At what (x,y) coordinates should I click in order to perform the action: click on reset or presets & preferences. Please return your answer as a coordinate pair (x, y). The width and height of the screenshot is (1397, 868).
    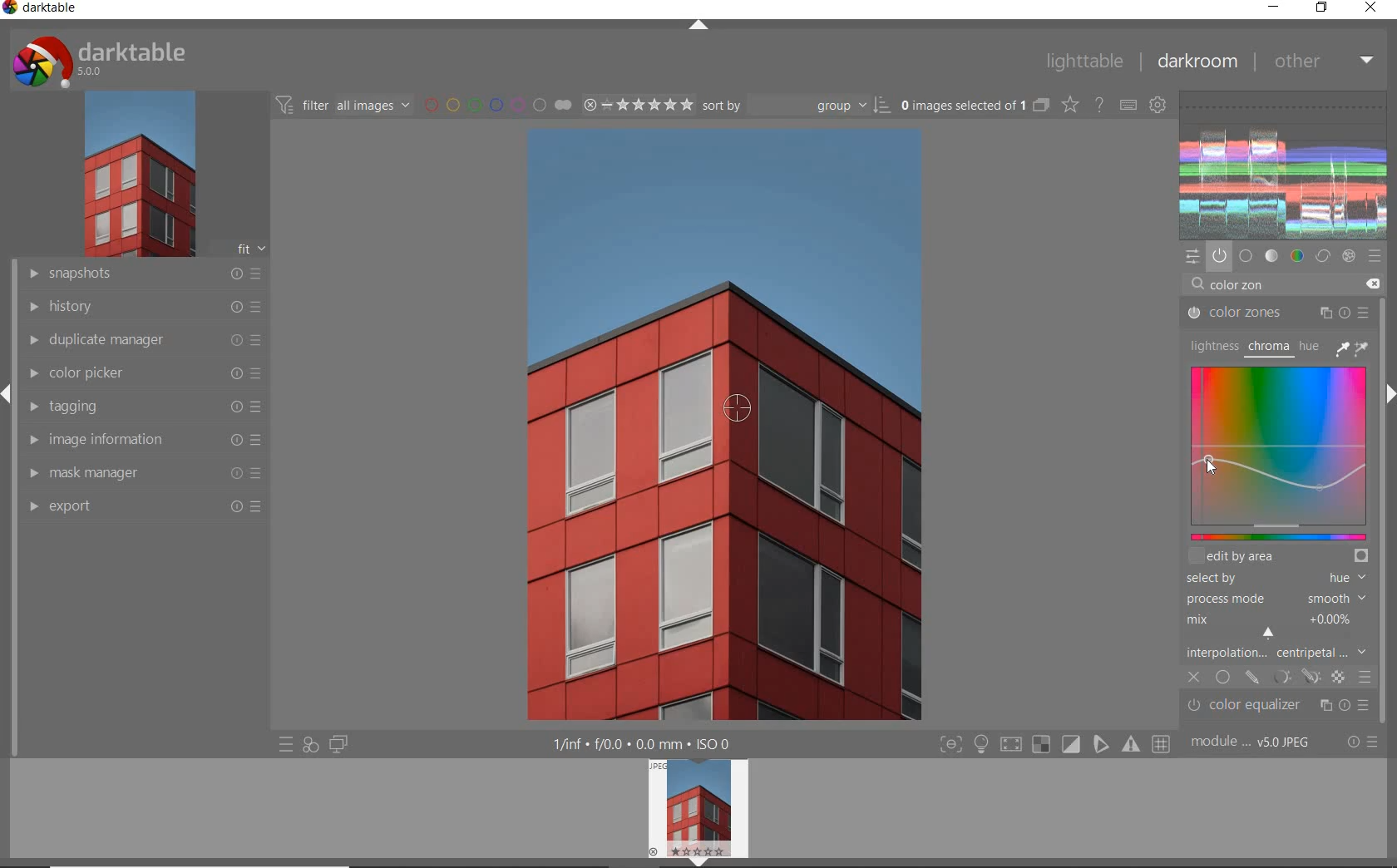
    Looking at the image, I should click on (1362, 743).